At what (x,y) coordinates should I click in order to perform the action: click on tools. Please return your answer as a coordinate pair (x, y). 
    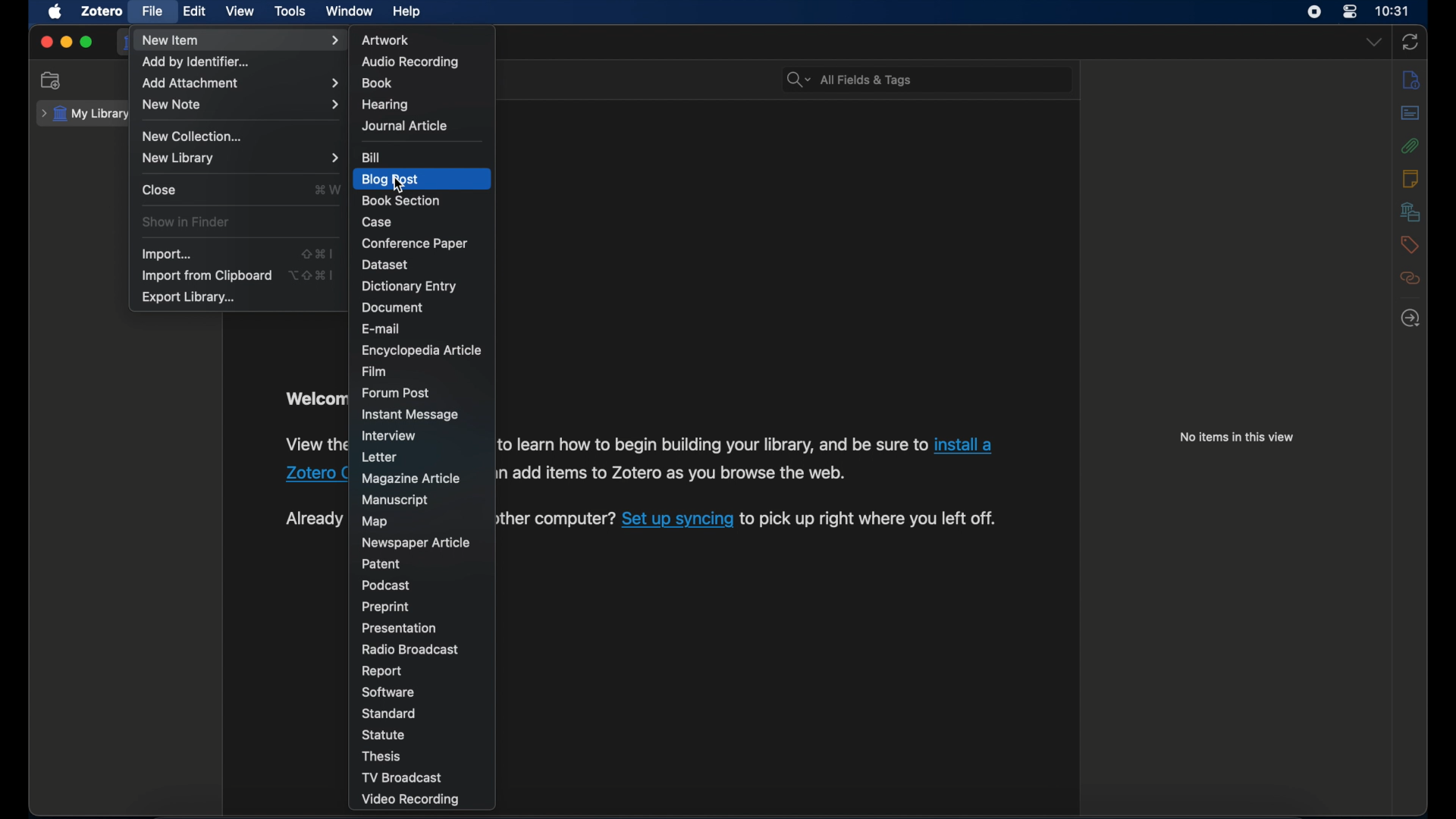
    Looking at the image, I should click on (290, 11).